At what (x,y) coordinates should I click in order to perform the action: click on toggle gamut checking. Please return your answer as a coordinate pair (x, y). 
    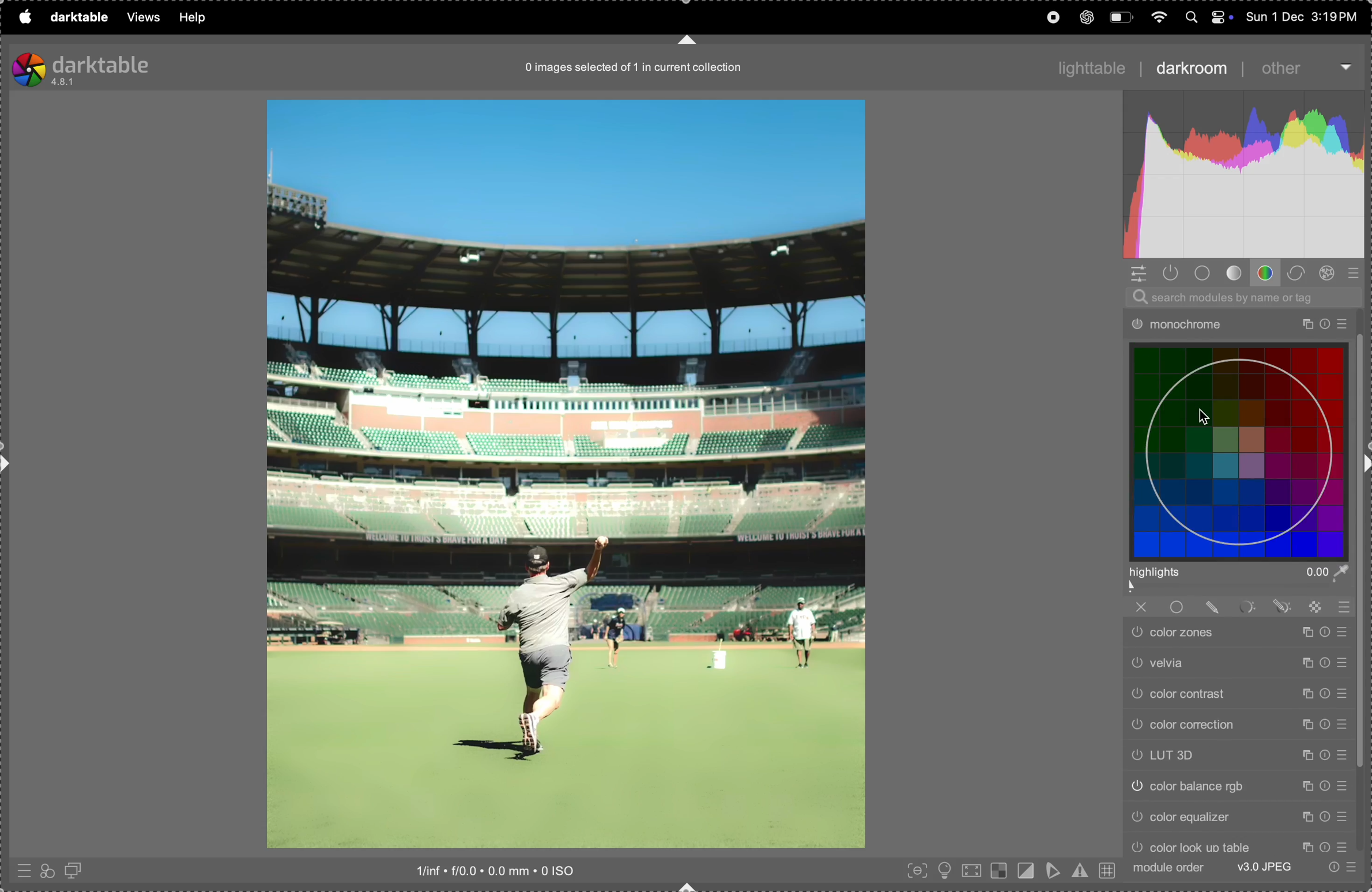
    Looking at the image, I should click on (1080, 870).